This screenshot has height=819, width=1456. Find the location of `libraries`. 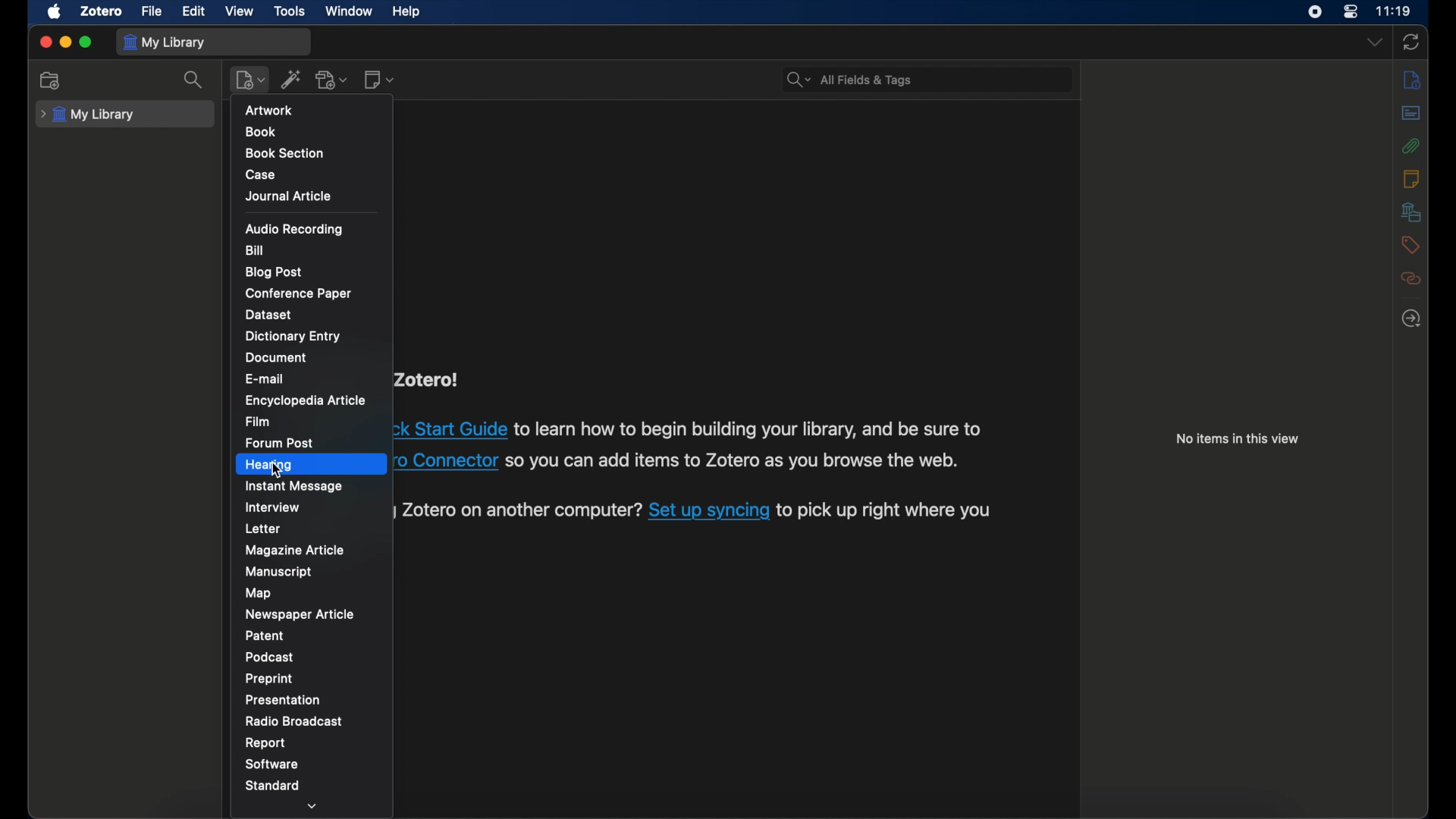

libraries is located at coordinates (1411, 212).